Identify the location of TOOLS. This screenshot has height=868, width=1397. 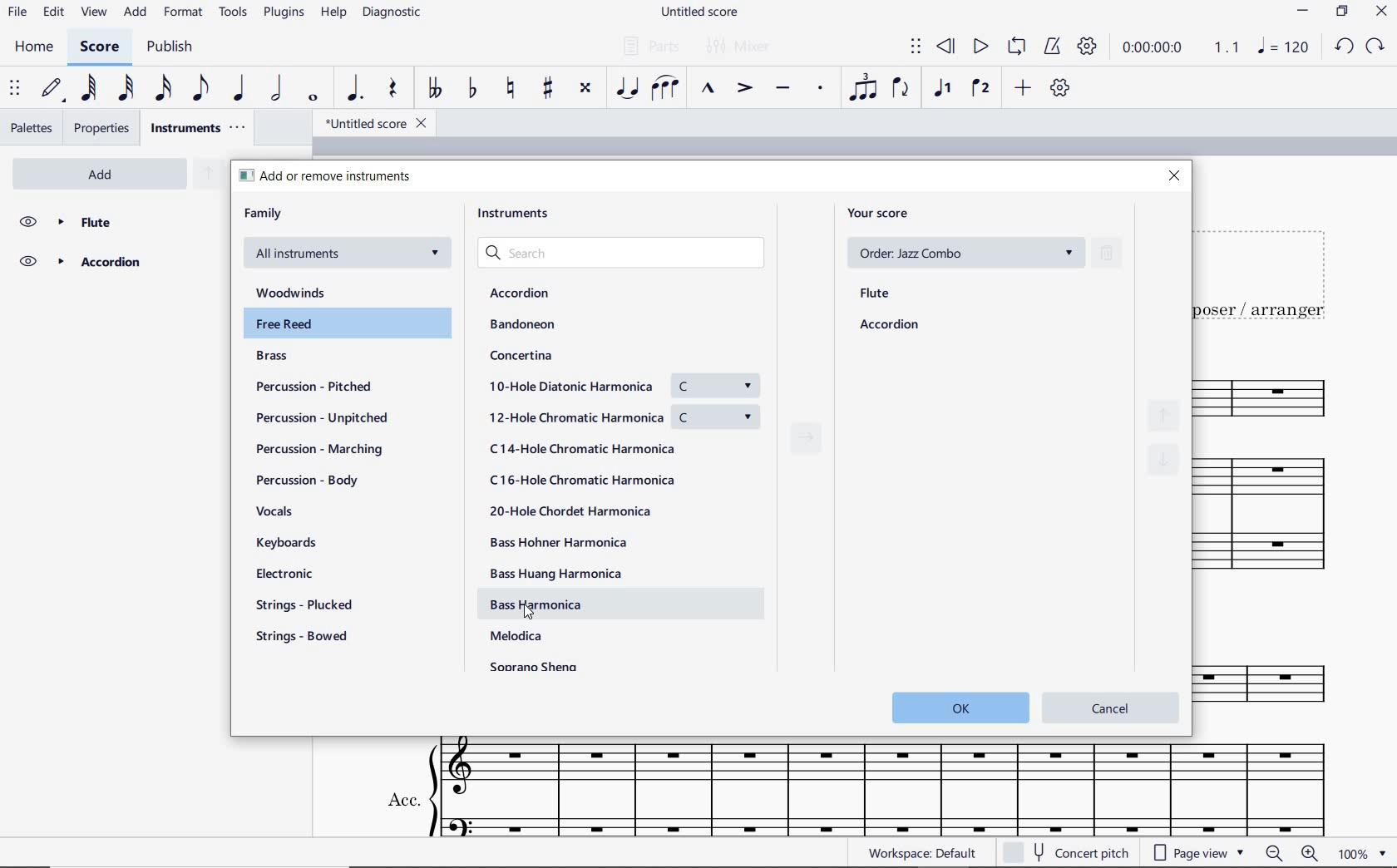
(234, 12).